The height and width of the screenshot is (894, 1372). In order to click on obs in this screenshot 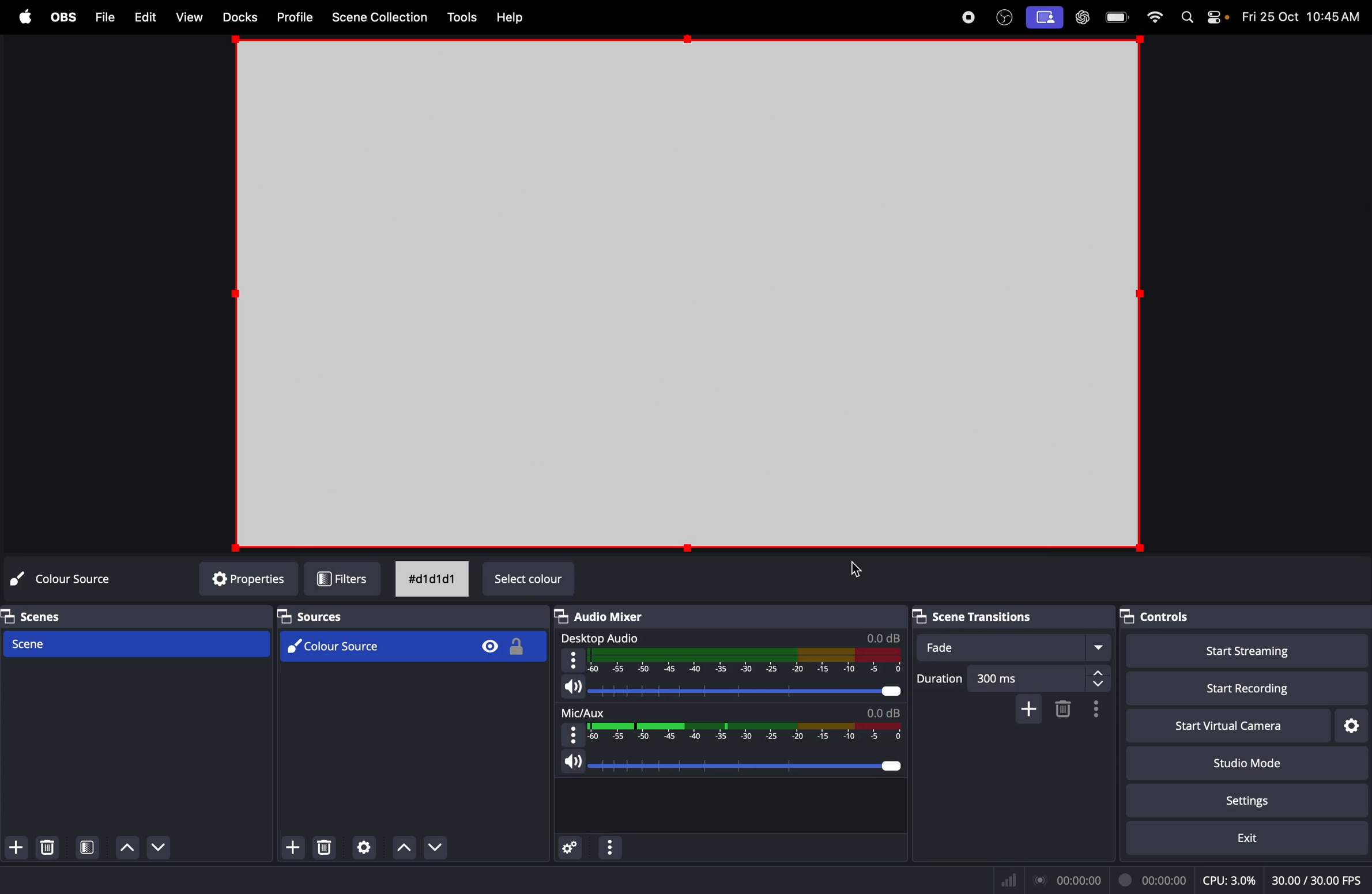, I will do `click(1004, 16)`.